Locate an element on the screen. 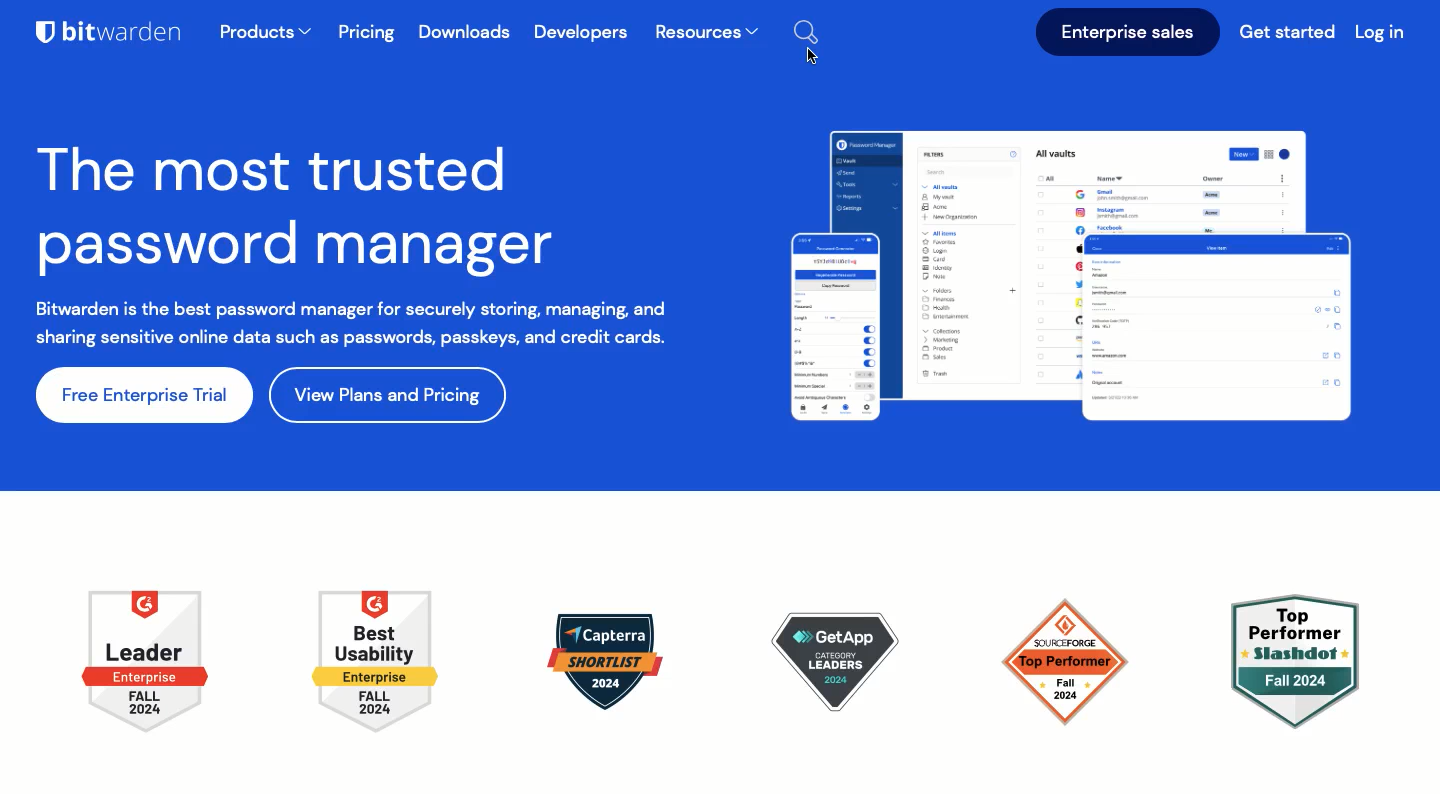  view plans and pricing is located at coordinates (391, 394).